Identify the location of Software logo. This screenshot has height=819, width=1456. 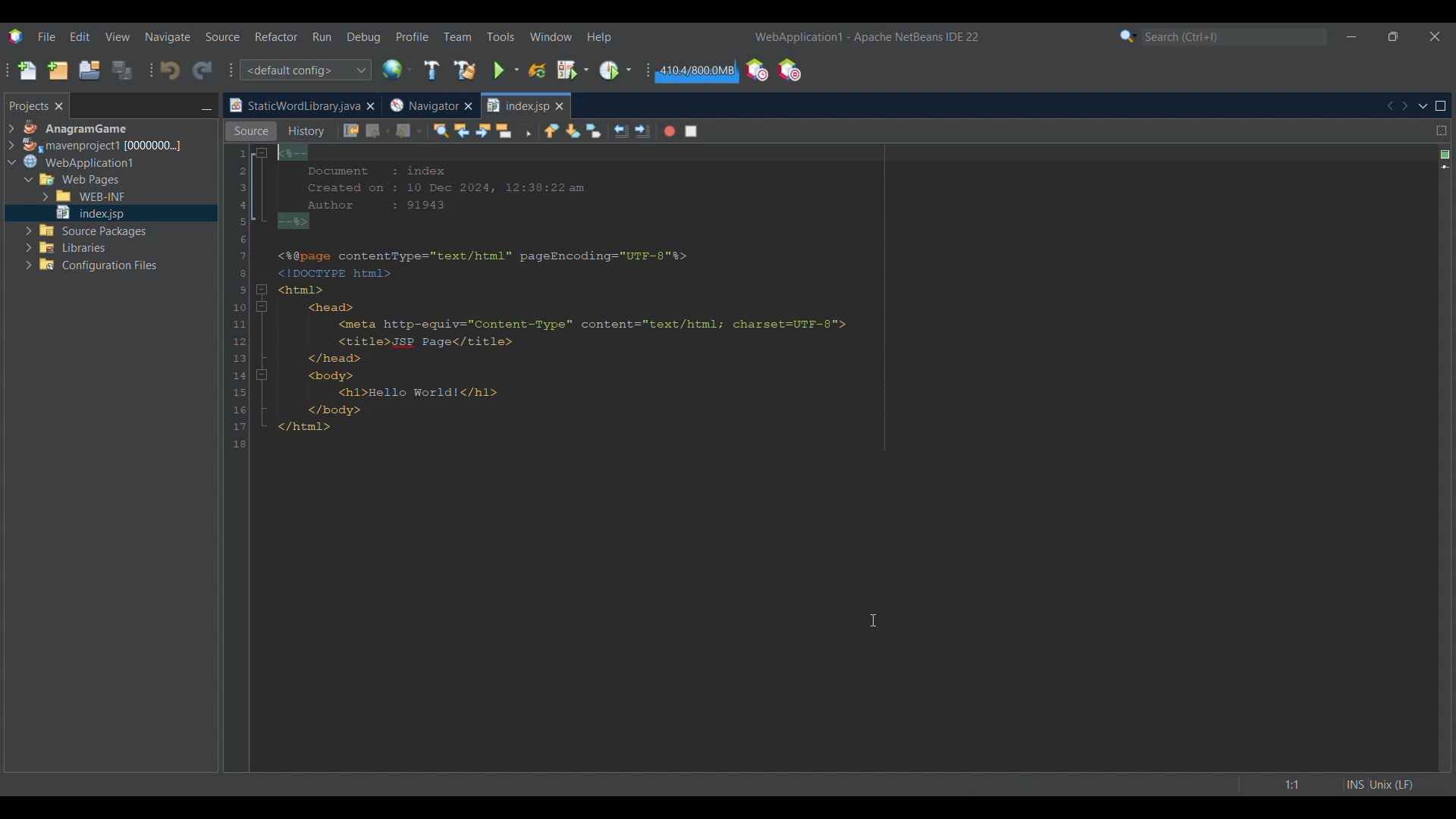
(15, 36).